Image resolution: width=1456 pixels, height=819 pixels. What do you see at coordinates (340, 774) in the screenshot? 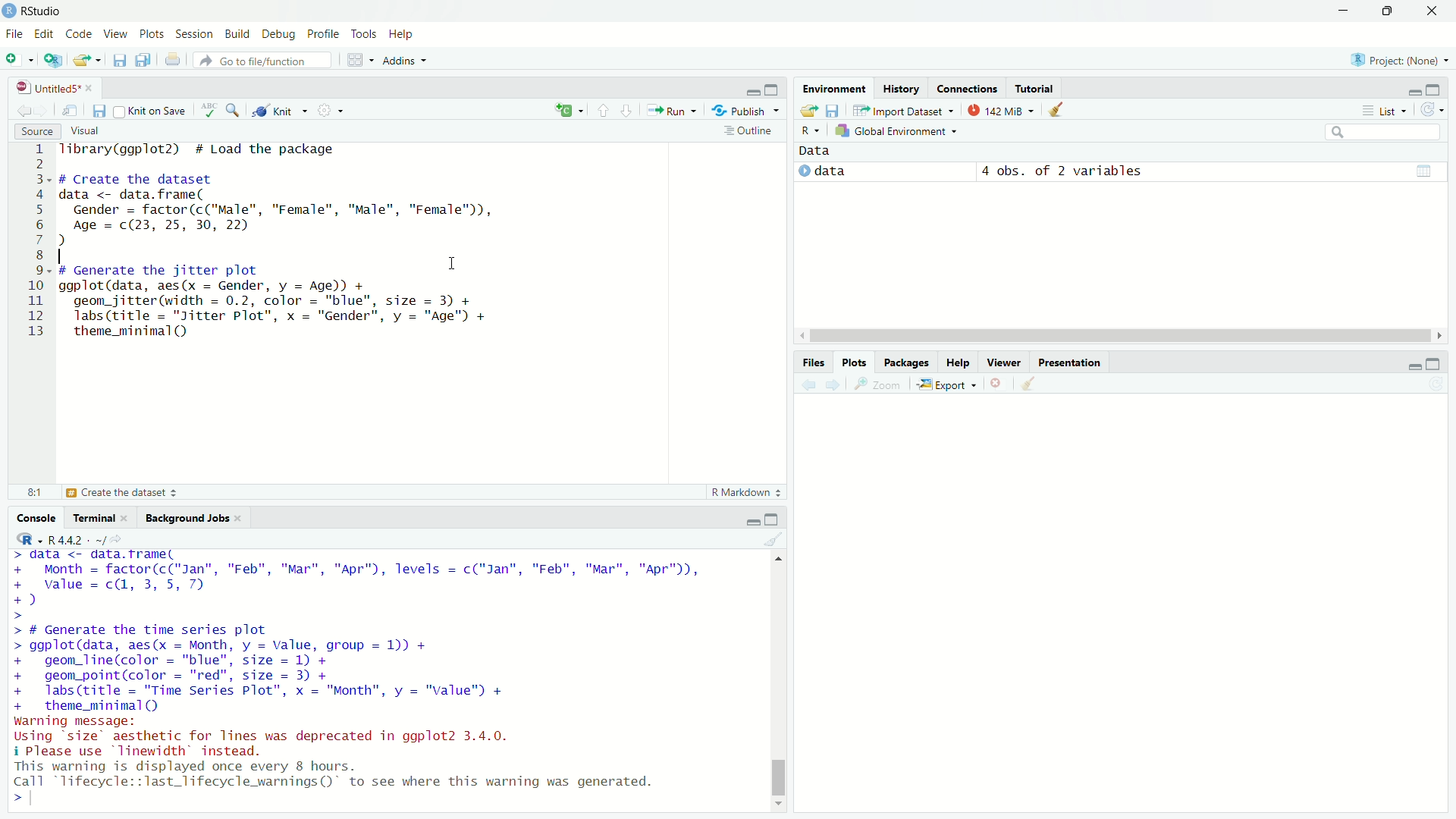
I see `warning displayed` at bounding box center [340, 774].